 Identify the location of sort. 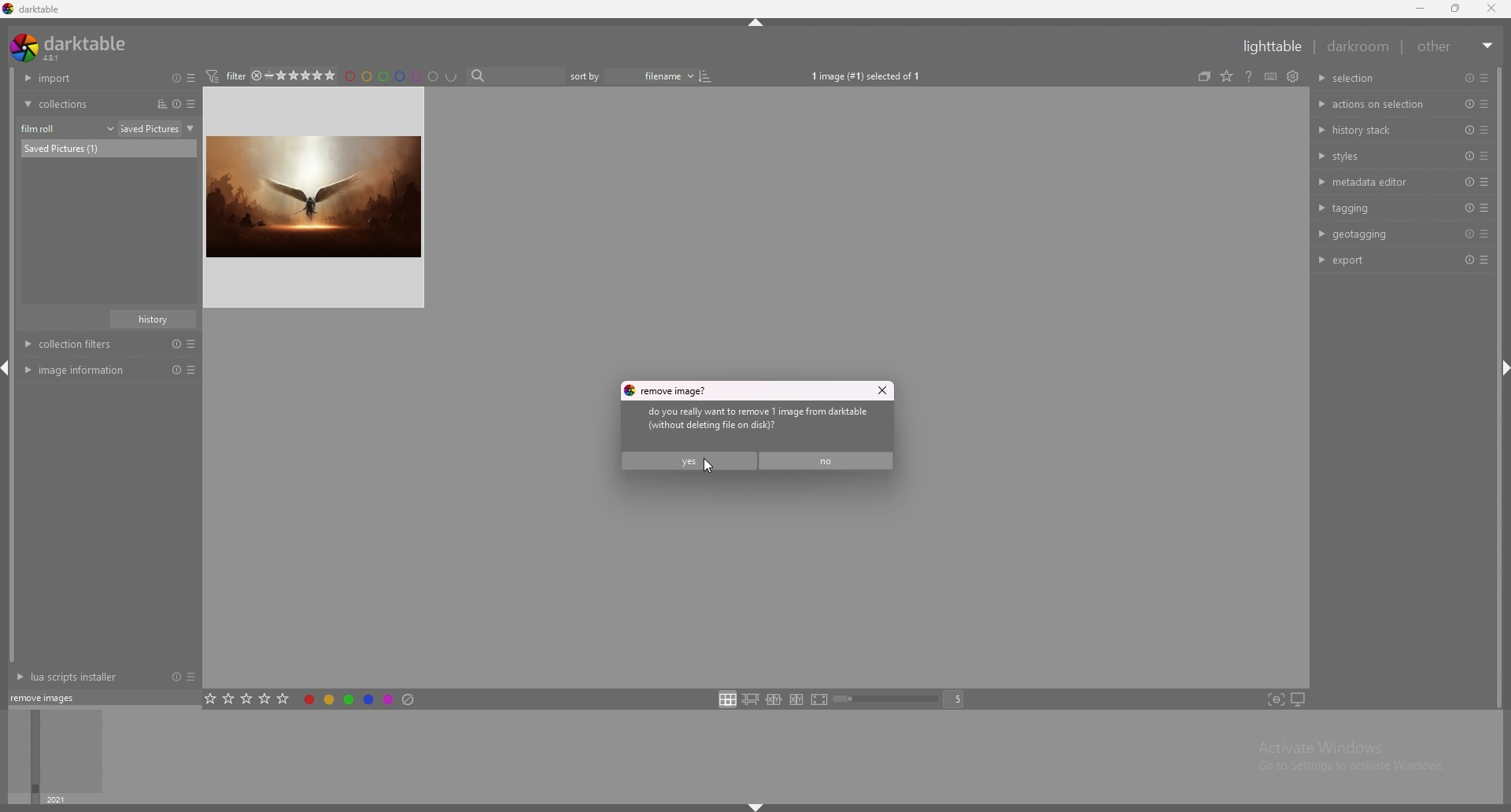
(158, 104).